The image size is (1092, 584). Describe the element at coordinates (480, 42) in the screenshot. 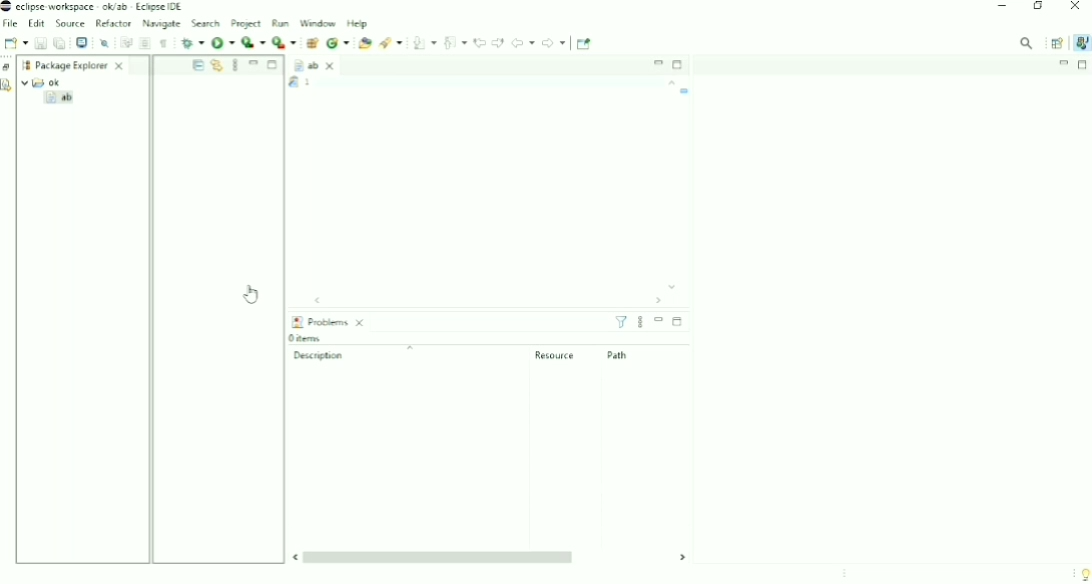

I see `Previous Edit Location` at that location.